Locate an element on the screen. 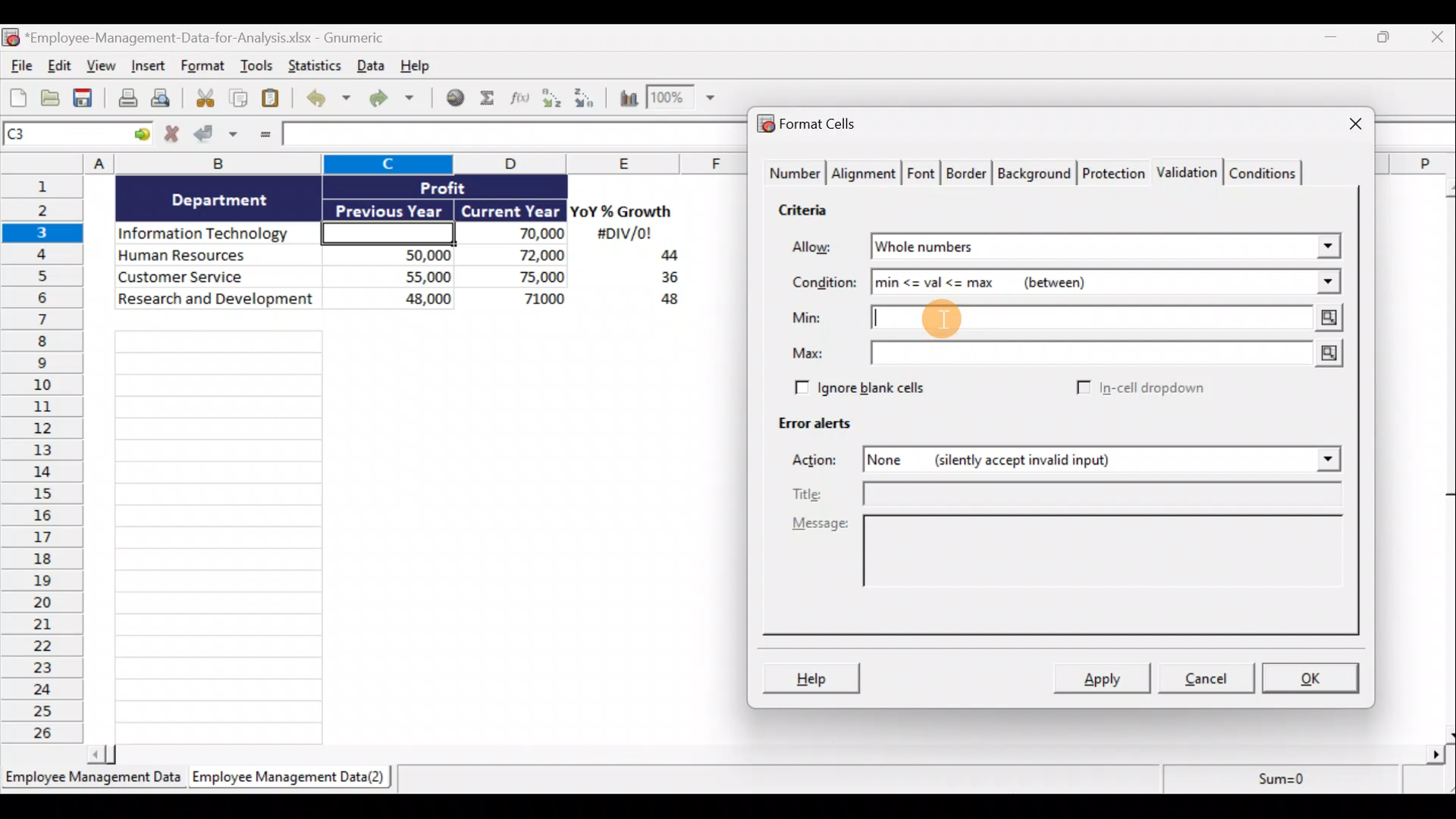 This screenshot has height=819, width=1456. Insert a chart is located at coordinates (622, 97).